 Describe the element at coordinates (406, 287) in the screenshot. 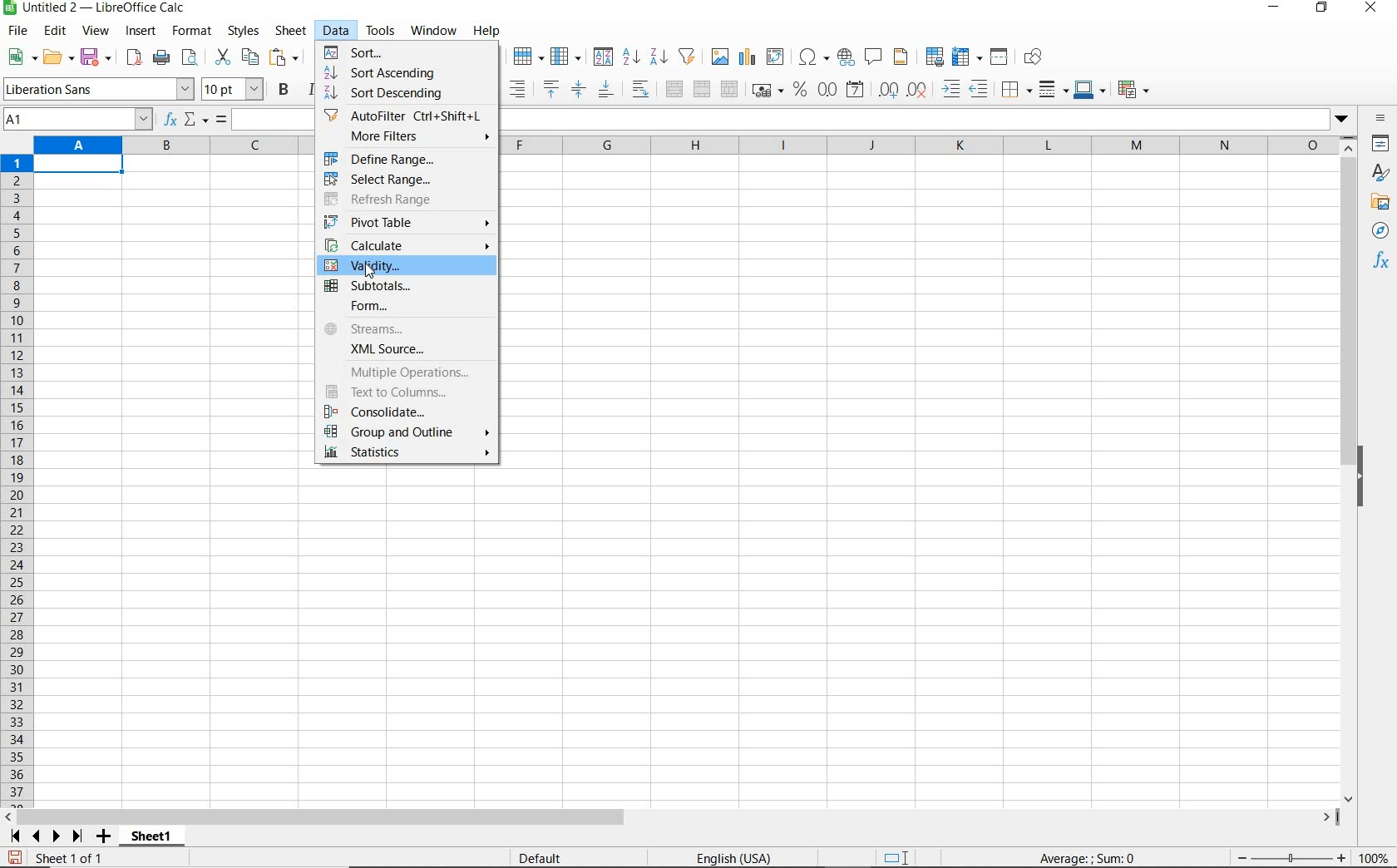

I see `subtotals` at that location.